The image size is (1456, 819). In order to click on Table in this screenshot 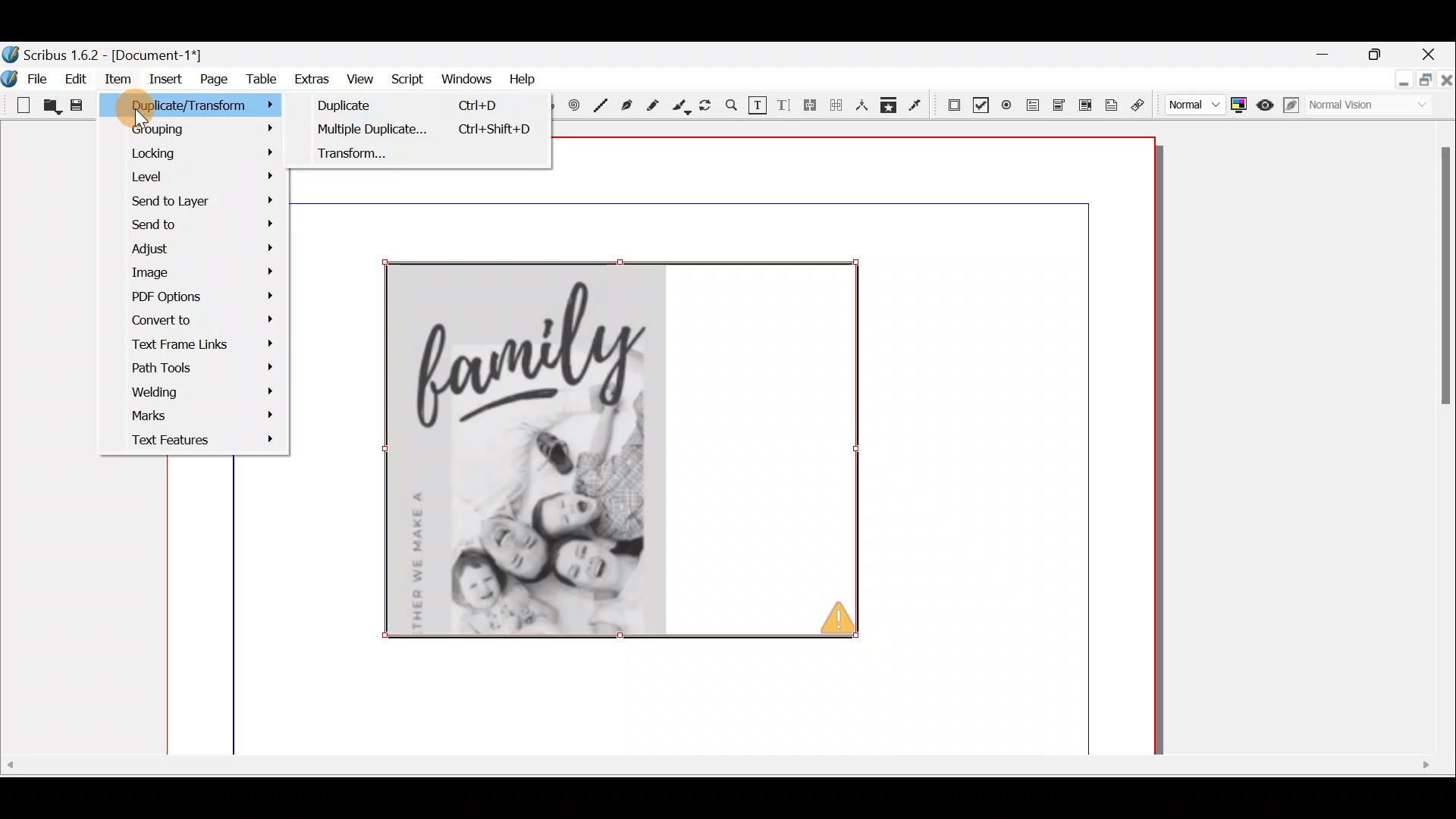, I will do `click(261, 83)`.